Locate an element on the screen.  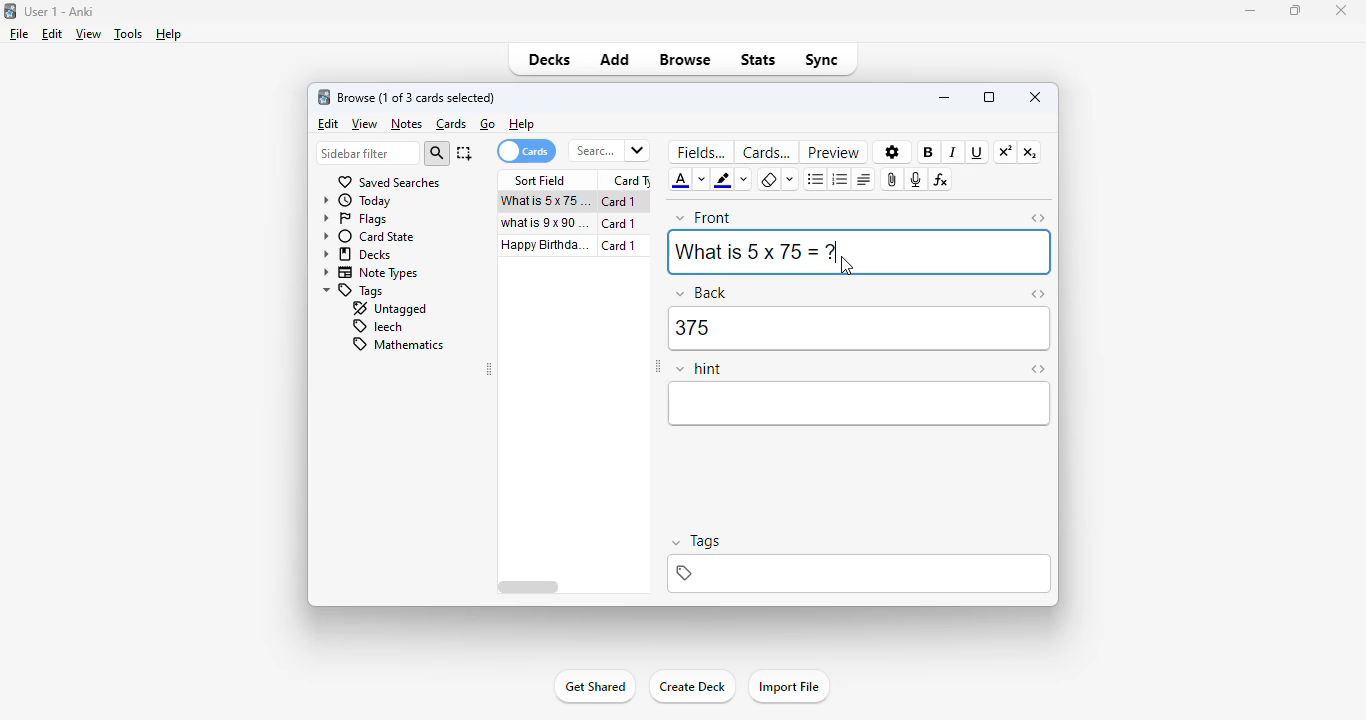
change color is located at coordinates (702, 181).